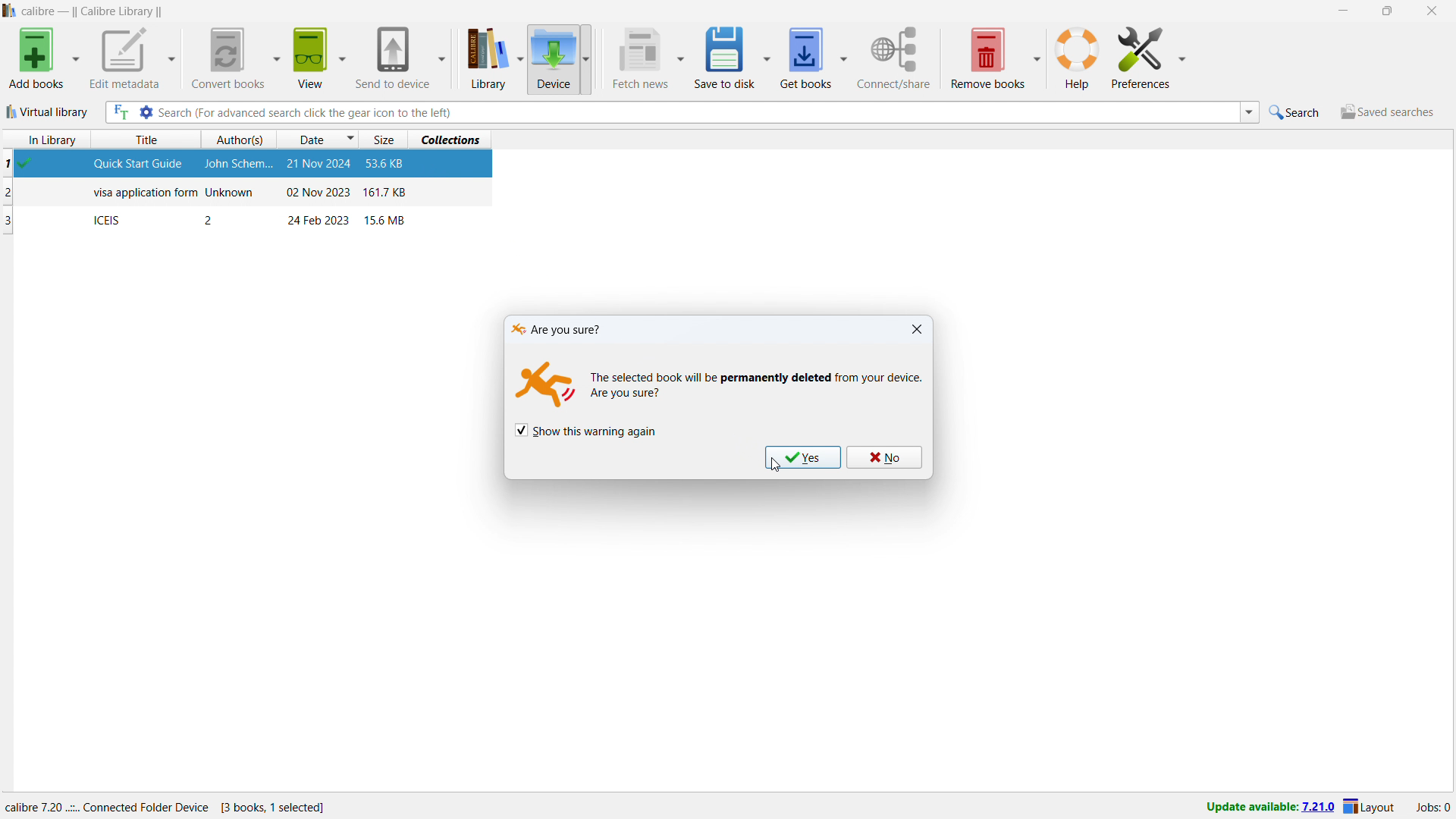  I want to click on save to disk options, so click(767, 55).